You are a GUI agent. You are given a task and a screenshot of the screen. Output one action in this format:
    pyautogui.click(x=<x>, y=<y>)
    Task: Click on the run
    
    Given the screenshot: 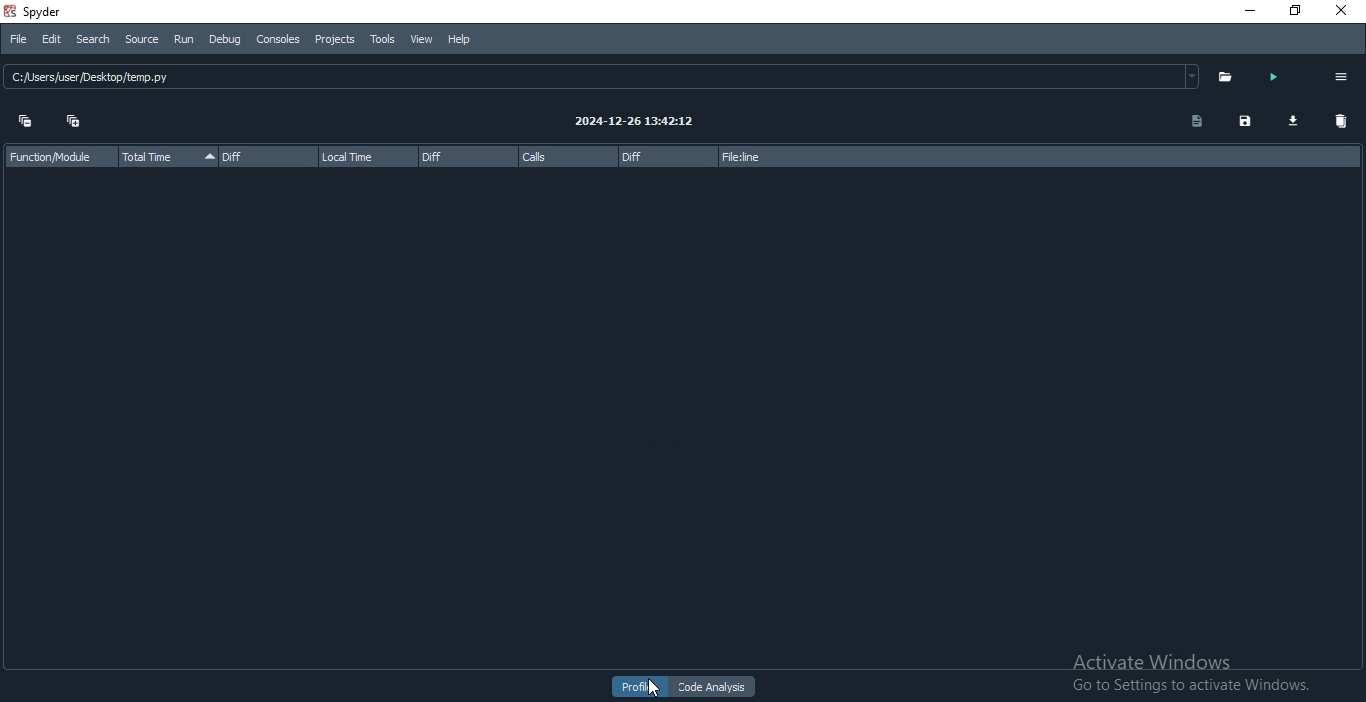 What is the action you would take?
    pyautogui.click(x=188, y=40)
    